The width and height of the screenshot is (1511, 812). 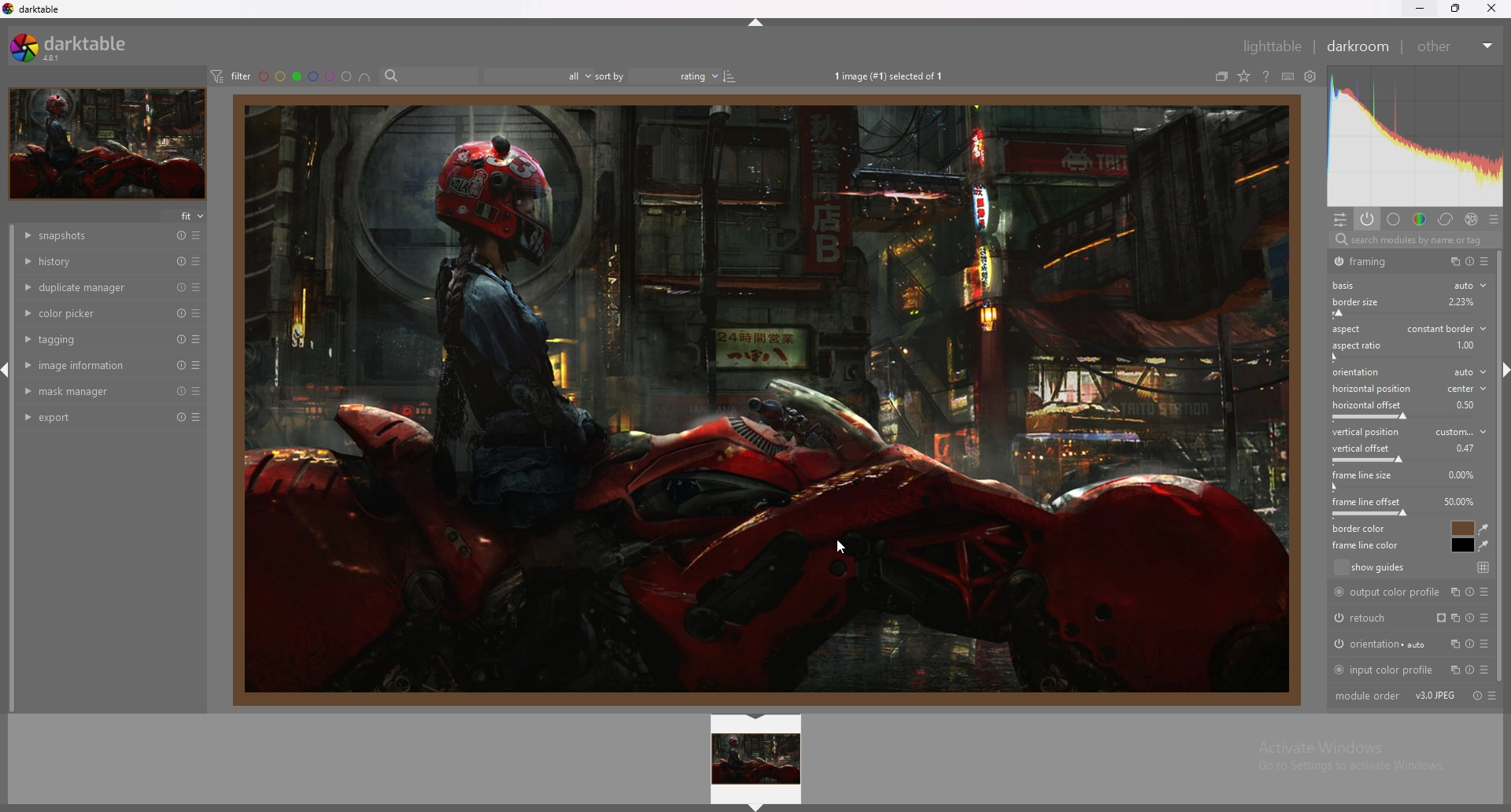 What do you see at coordinates (1420, 218) in the screenshot?
I see `color` at bounding box center [1420, 218].